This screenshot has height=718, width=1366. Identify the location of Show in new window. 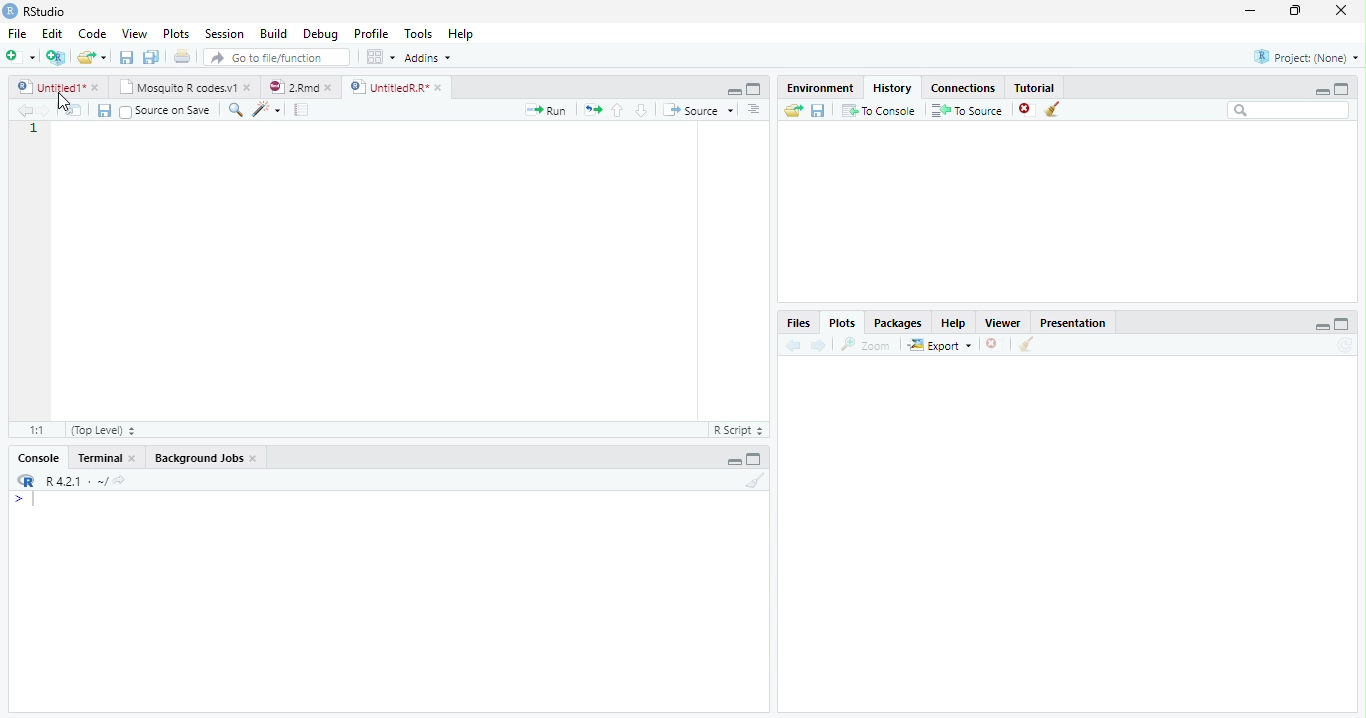
(73, 111).